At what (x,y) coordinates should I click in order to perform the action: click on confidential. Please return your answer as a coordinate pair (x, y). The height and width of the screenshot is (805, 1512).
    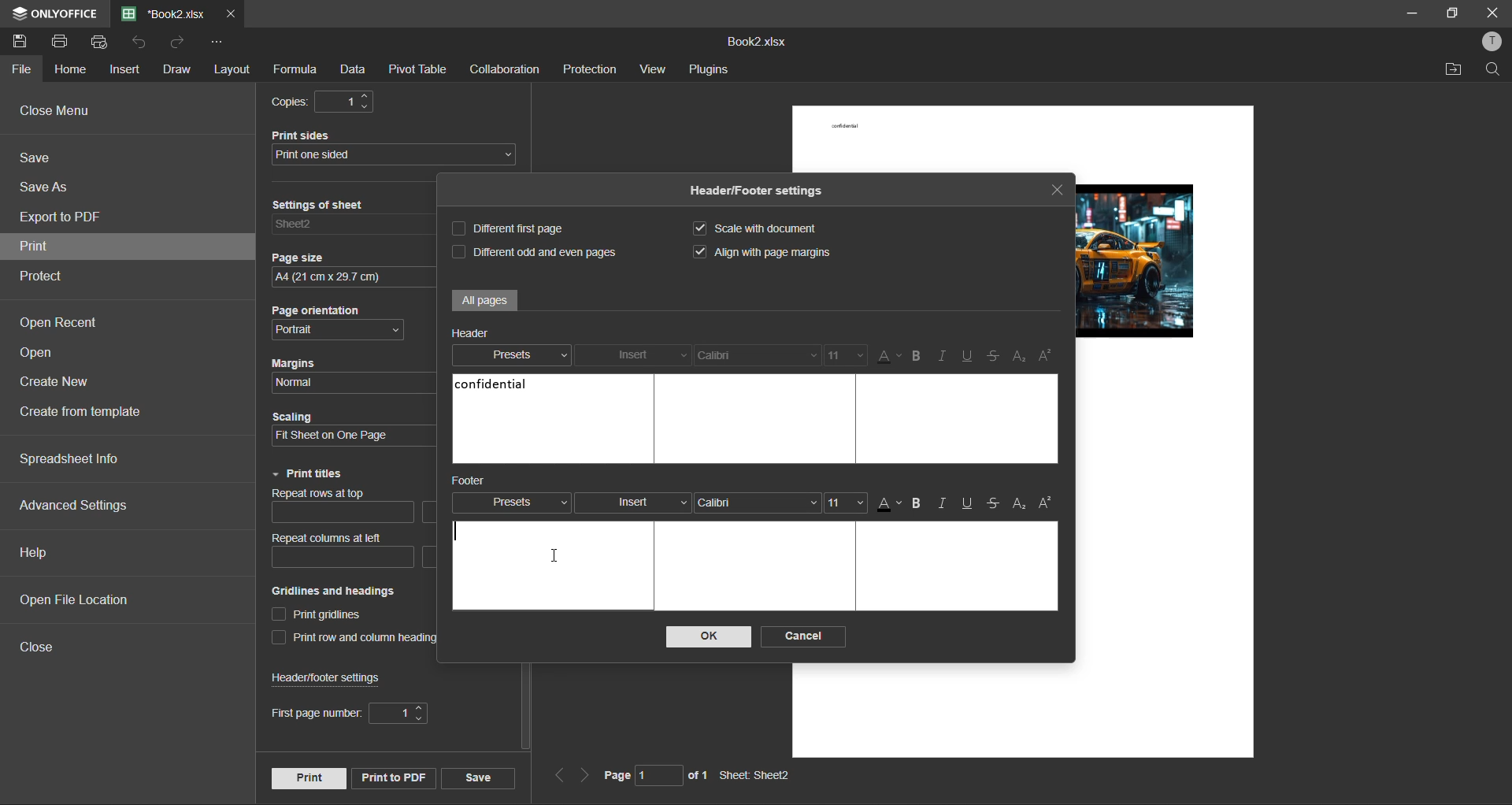
    Looking at the image, I should click on (490, 386).